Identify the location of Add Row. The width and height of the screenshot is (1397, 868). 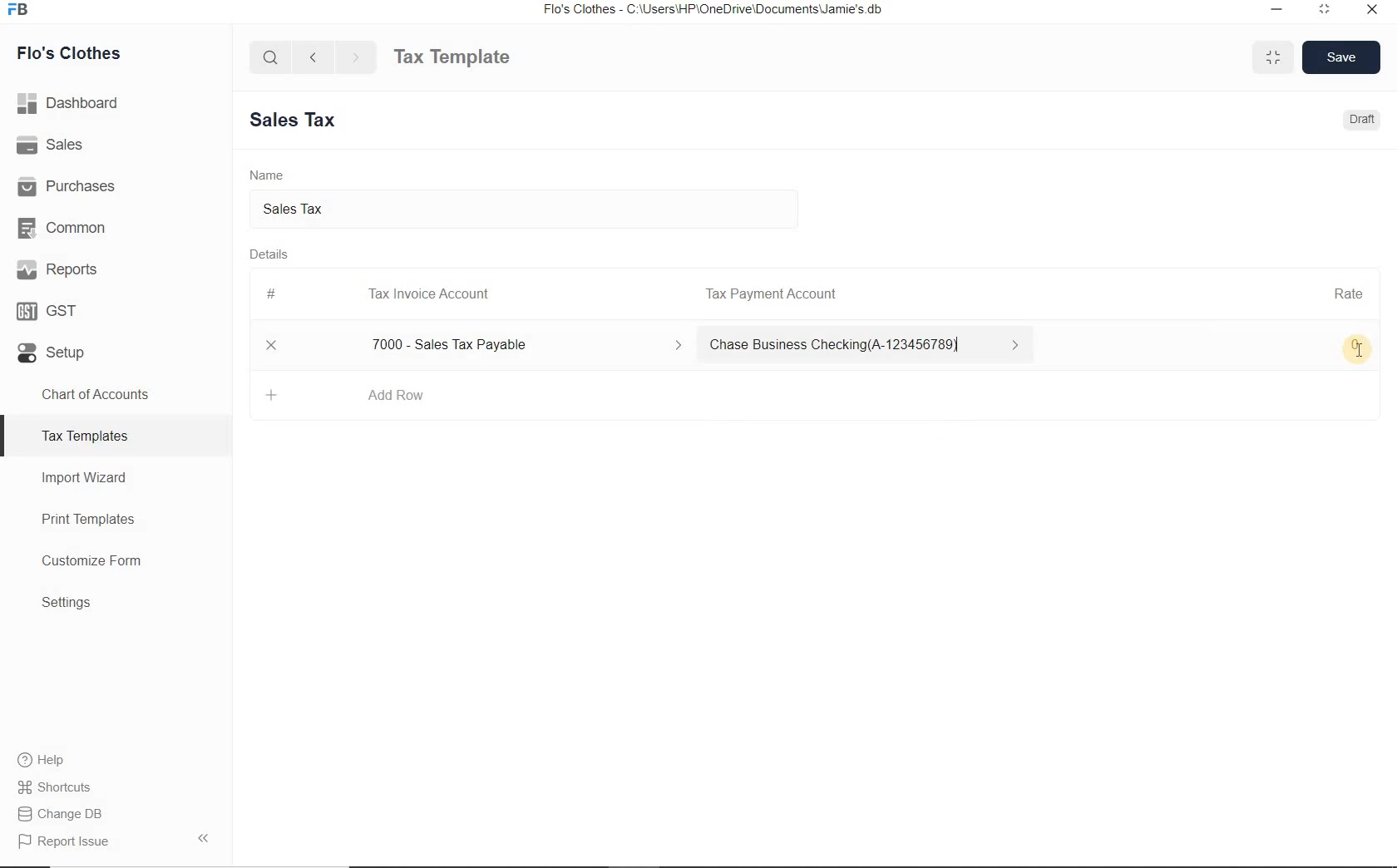
(396, 395).